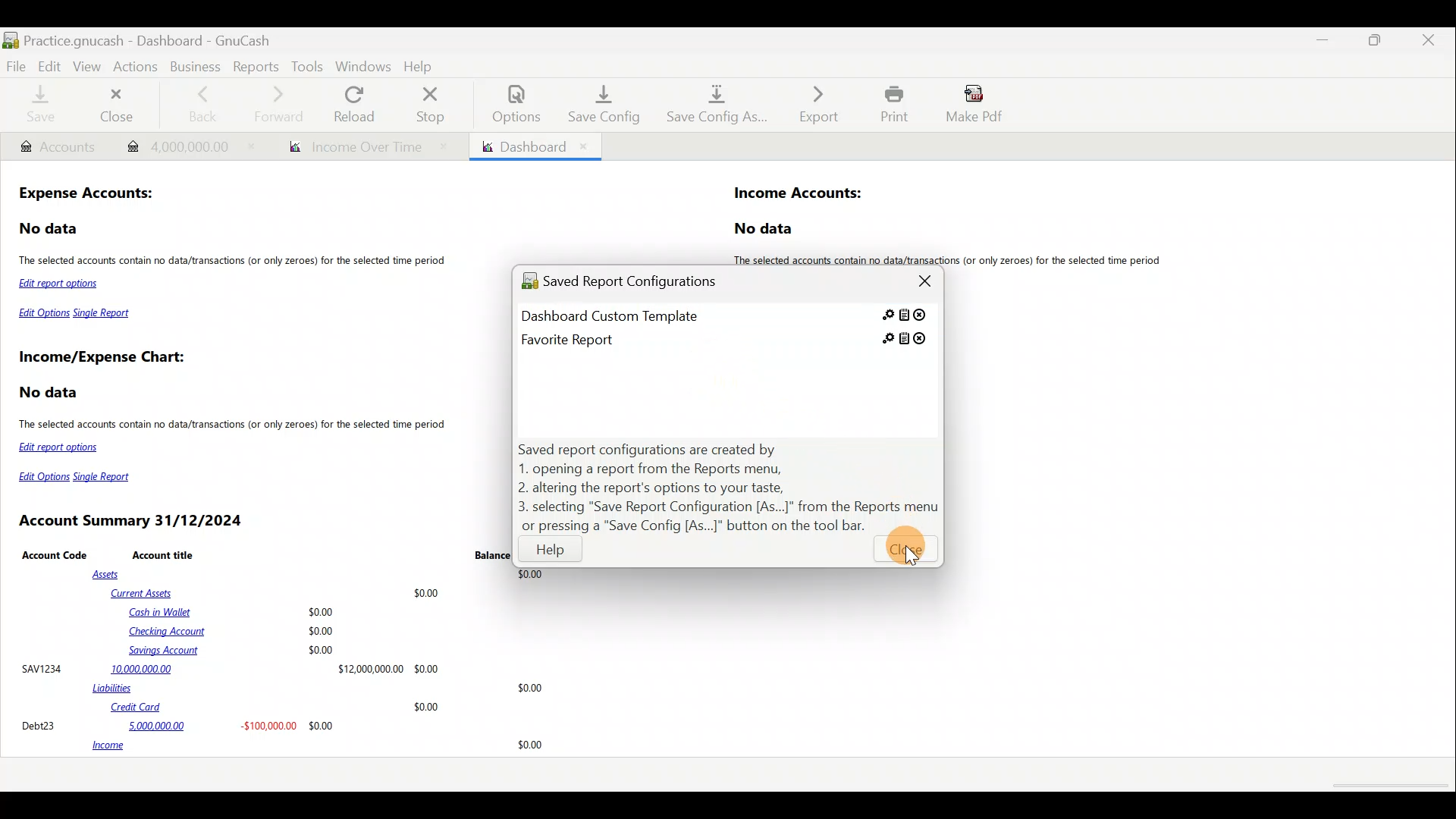 Image resolution: width=1456 pixels, height=819 pixels. I want to click on Edit report options, so click(61, 447).